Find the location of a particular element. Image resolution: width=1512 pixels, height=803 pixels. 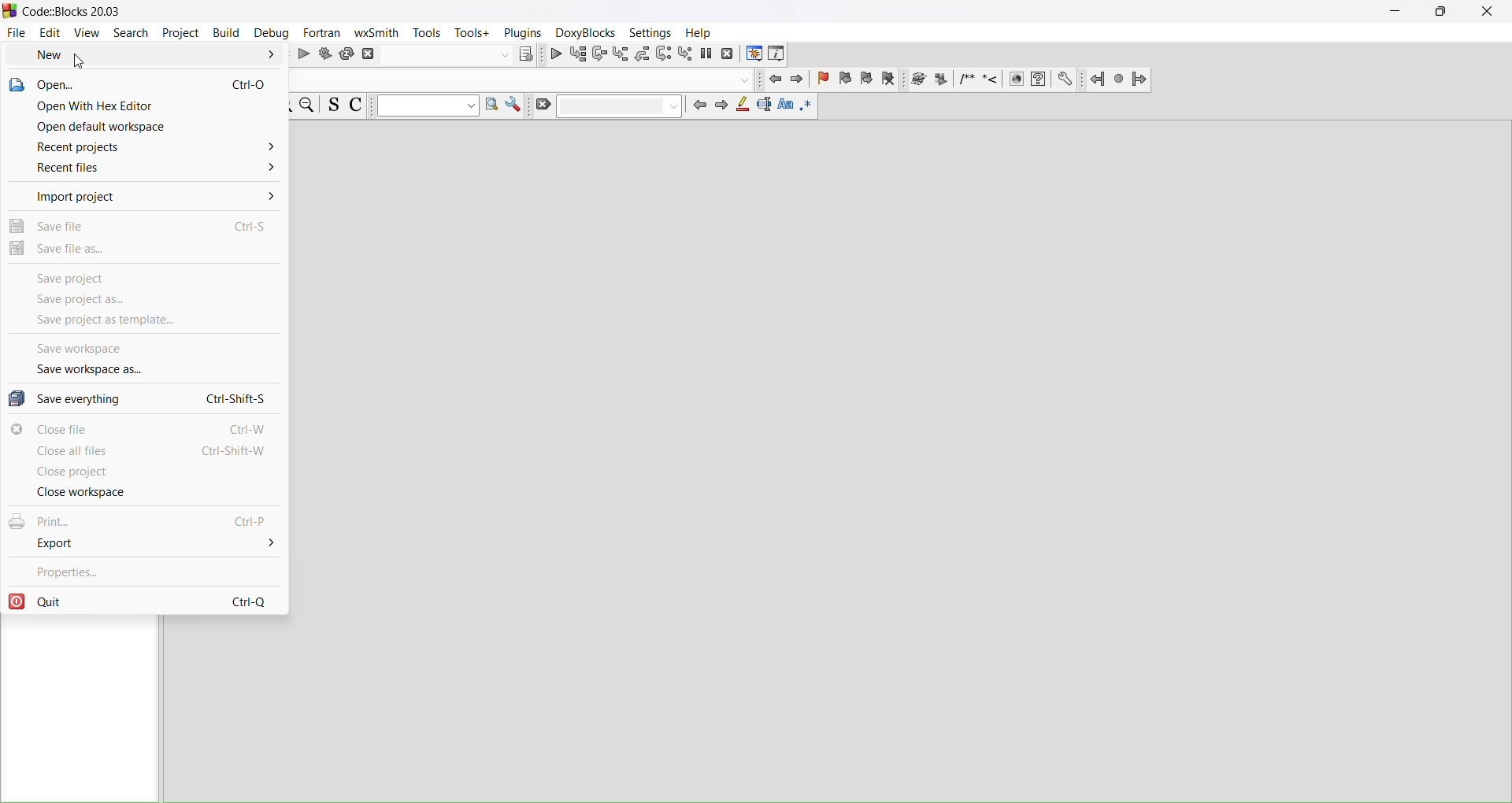

Insert line is located at coordinates (991, 80).